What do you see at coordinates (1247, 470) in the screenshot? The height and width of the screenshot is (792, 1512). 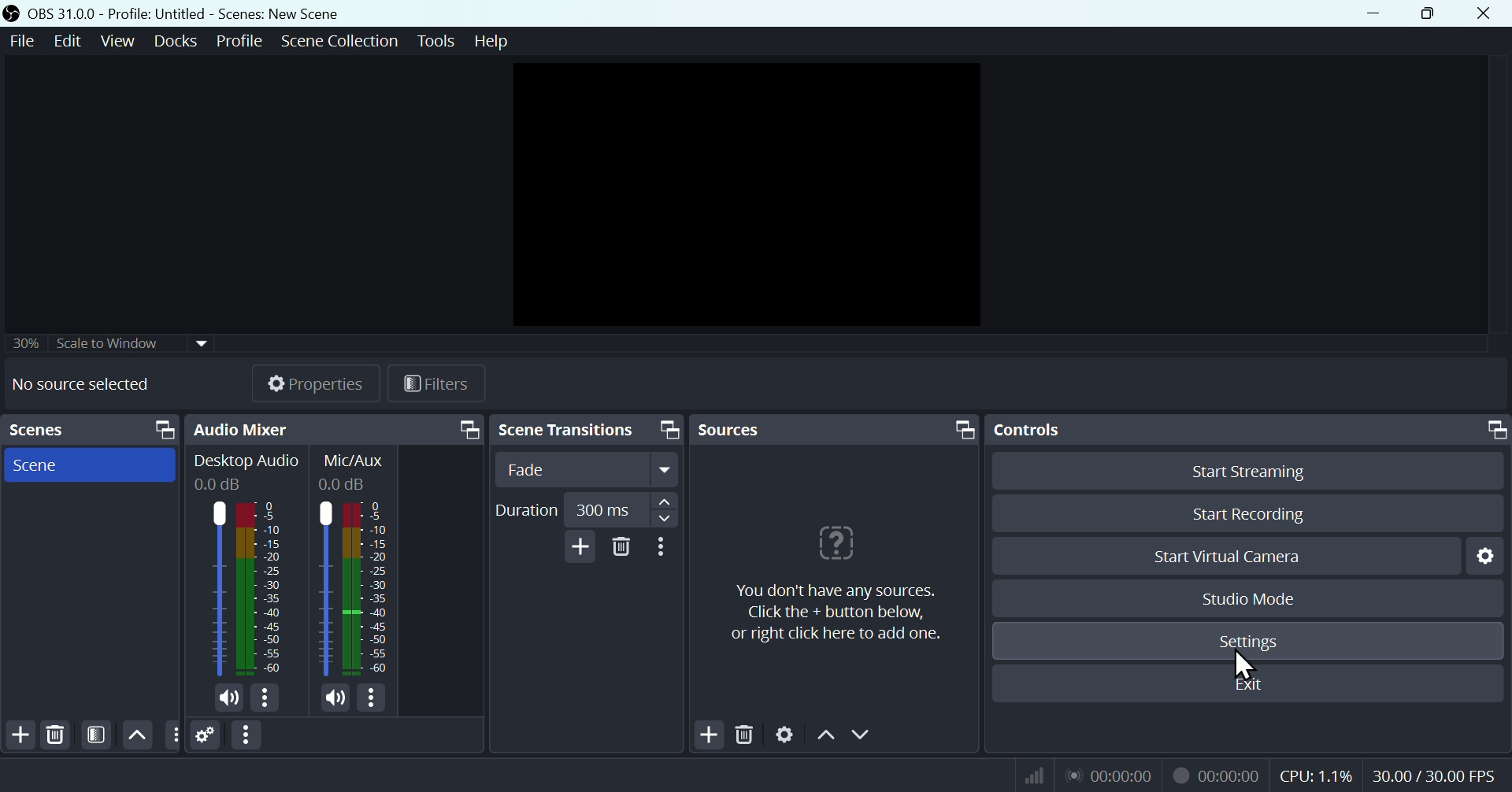 I see `Start streaming` at bounding box center [1247, 470].